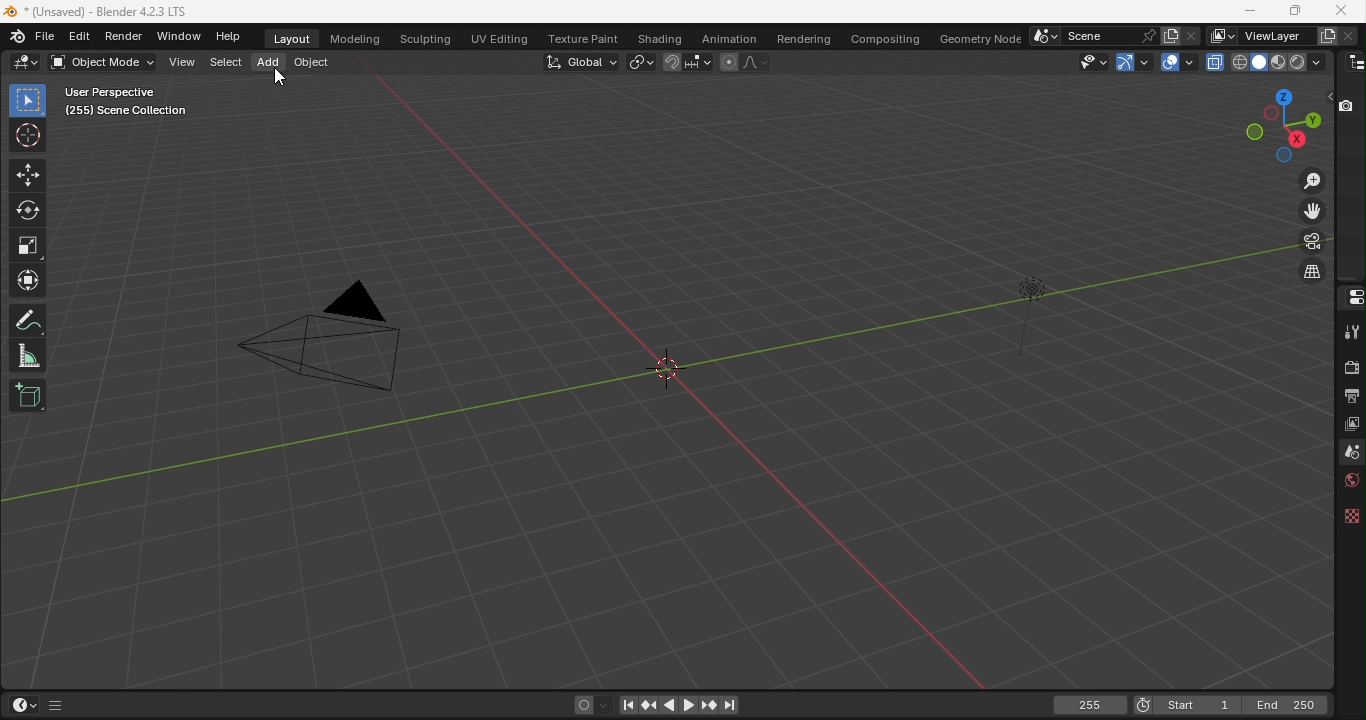  What do you see at coordinates (1346, 484) in the screenshot?
I see `World` at bounding box center [1346, 484].